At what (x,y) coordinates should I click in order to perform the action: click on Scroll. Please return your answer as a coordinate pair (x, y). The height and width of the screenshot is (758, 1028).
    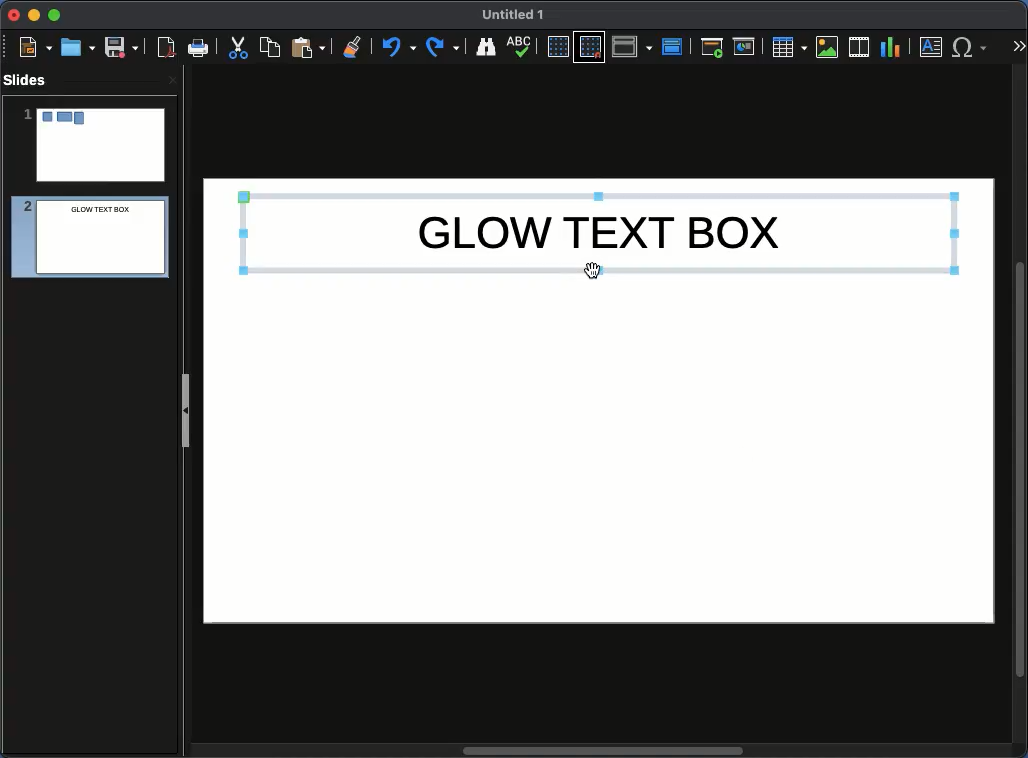
    Looking at the image, I should click on (1022, 413).